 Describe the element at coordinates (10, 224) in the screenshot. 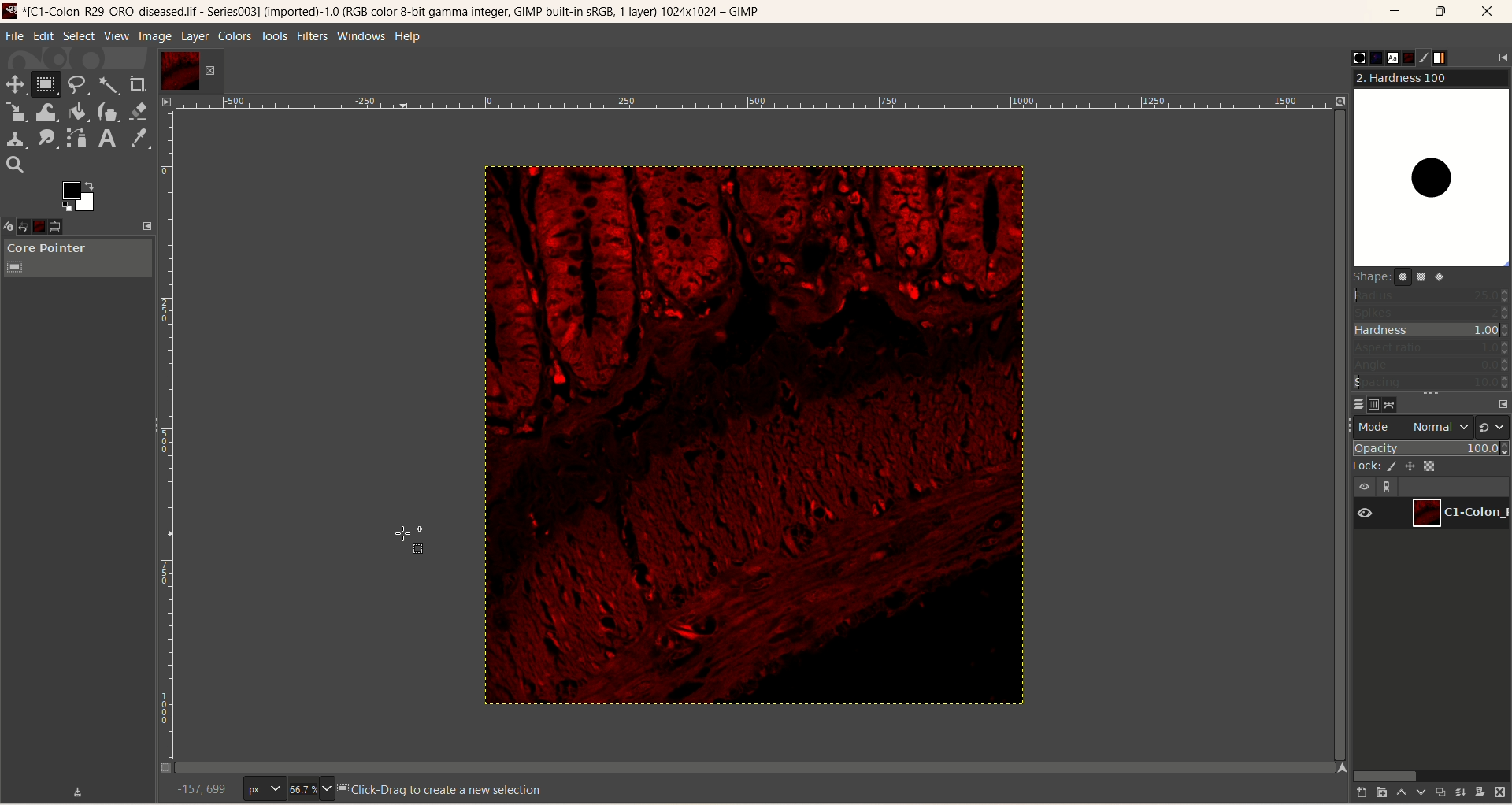

I see `device status` at that location.